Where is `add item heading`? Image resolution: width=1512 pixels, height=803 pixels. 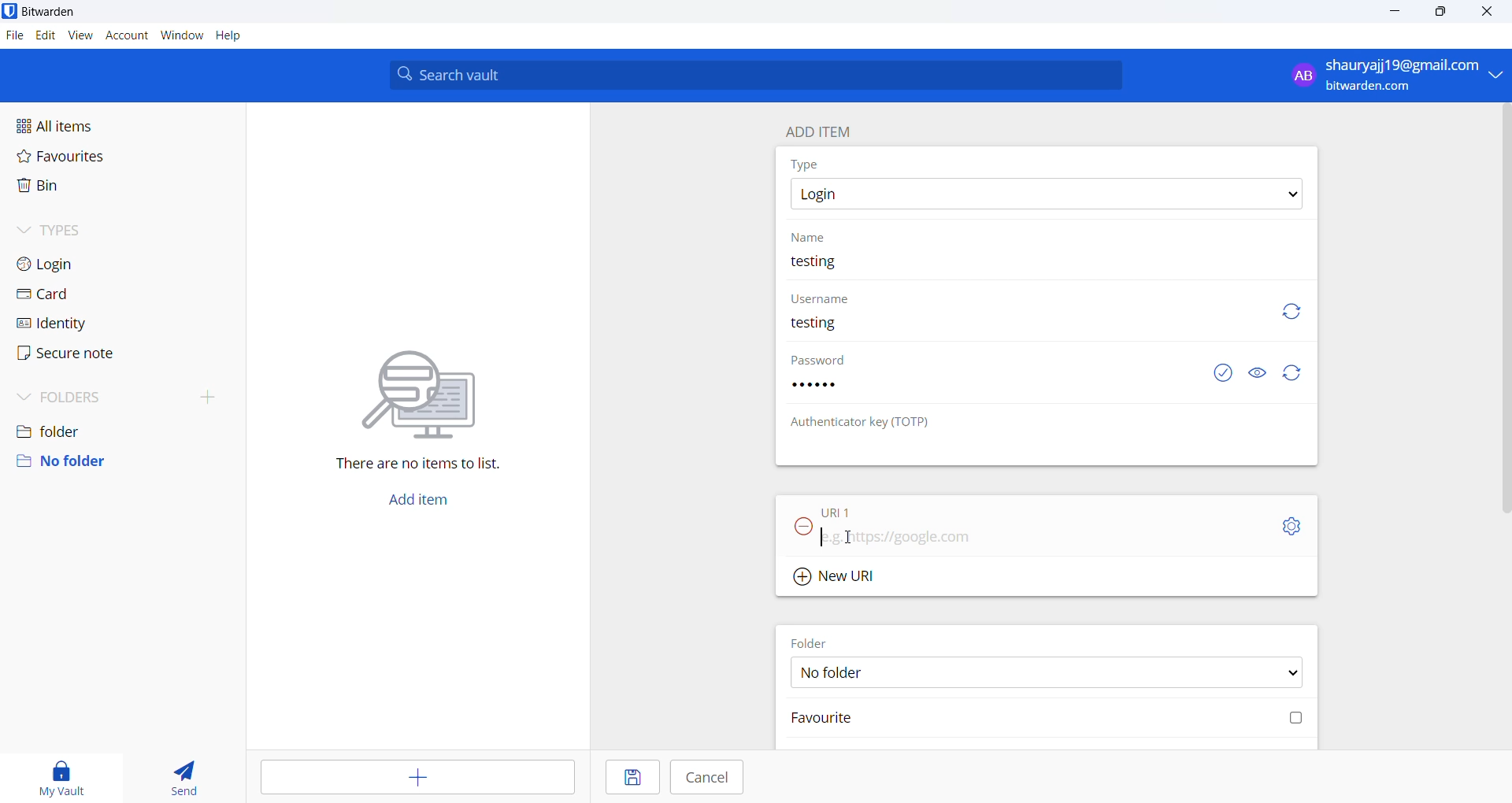
add item heading is located at coordinates (819, 128).